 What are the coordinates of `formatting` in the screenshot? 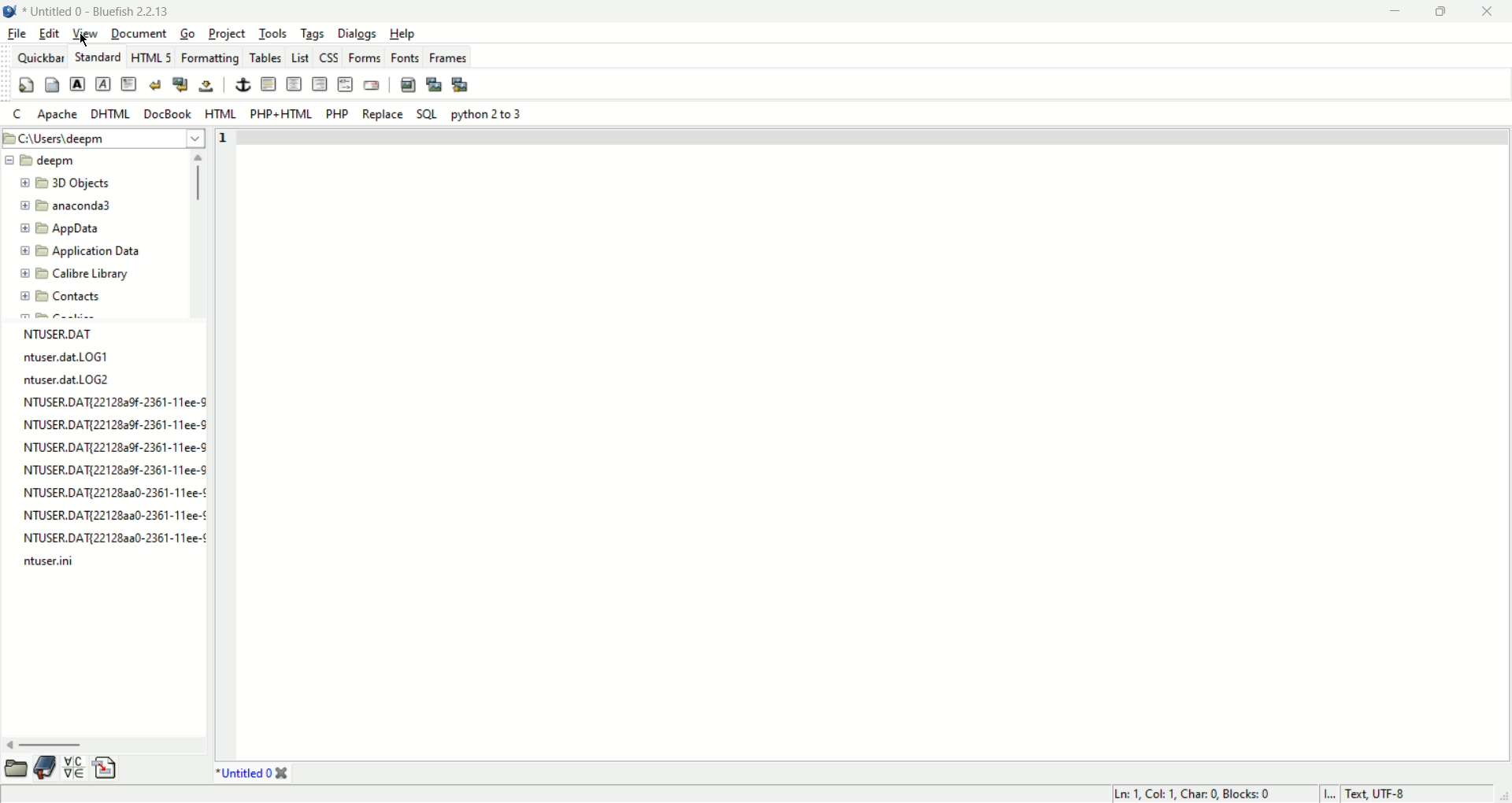 It's located at (209, 55).